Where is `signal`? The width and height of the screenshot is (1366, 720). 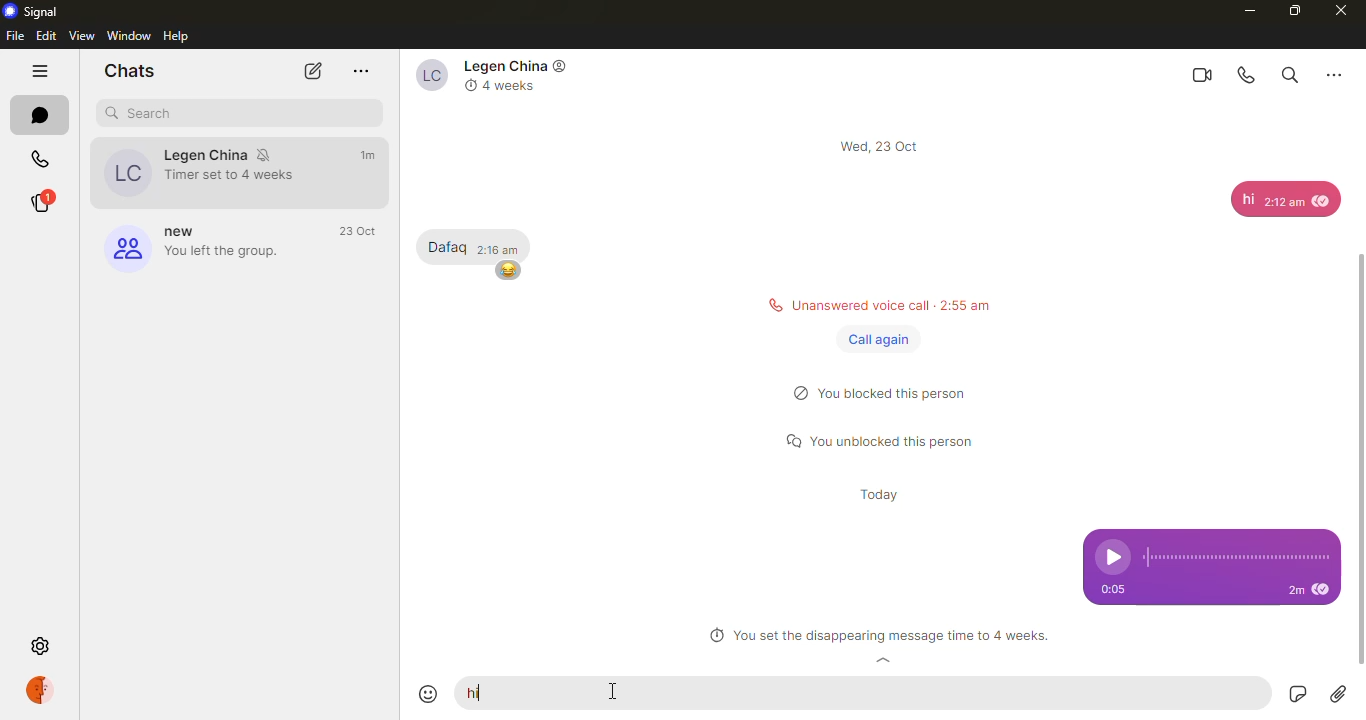 signal is located at coordinates (34, 11).